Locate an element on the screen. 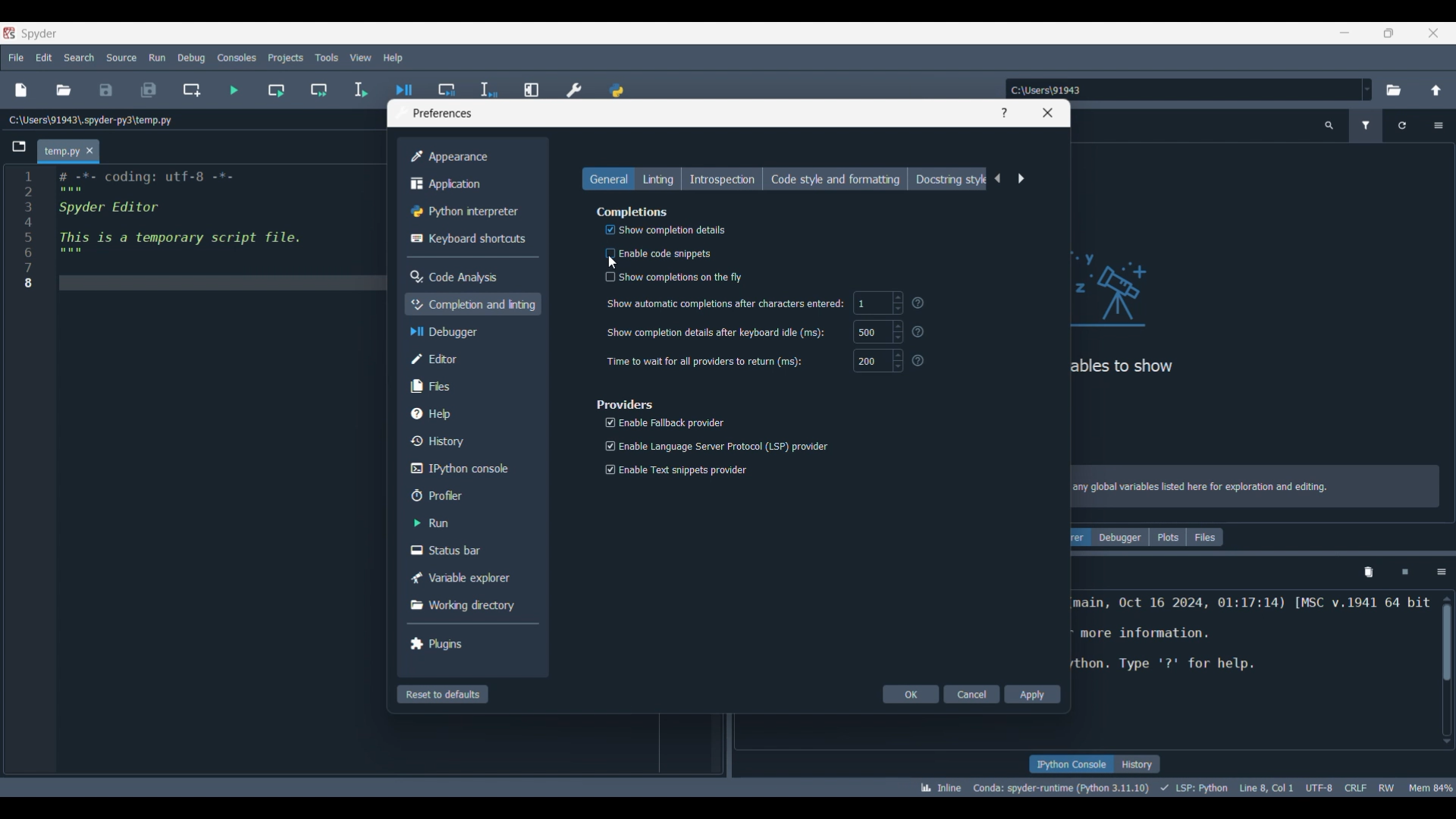 The width and height of the screenshot is (1456, 819). Debugger is located at coordinates (1120, 537).